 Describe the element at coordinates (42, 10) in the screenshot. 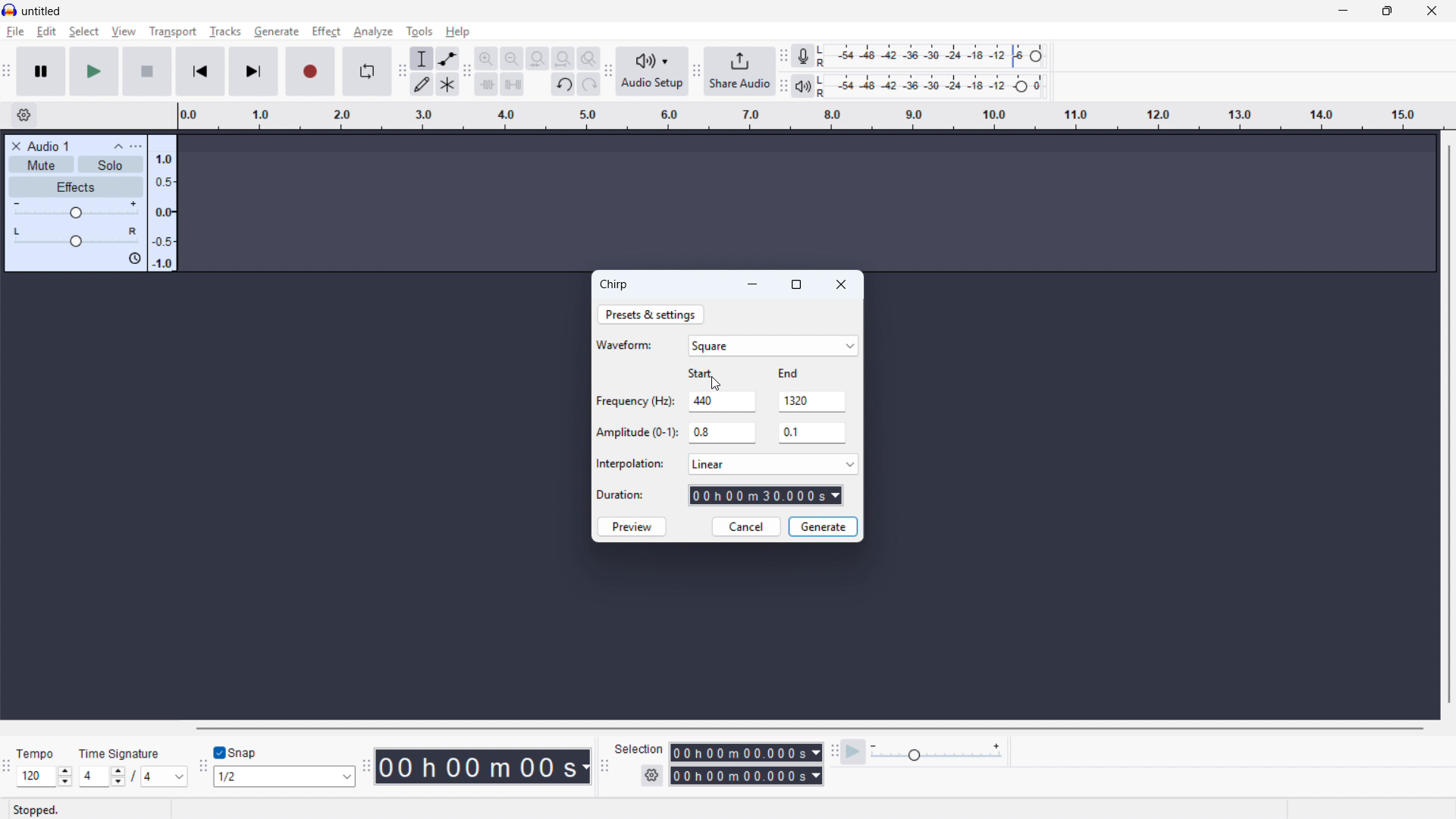

I see `untitled` at that location.